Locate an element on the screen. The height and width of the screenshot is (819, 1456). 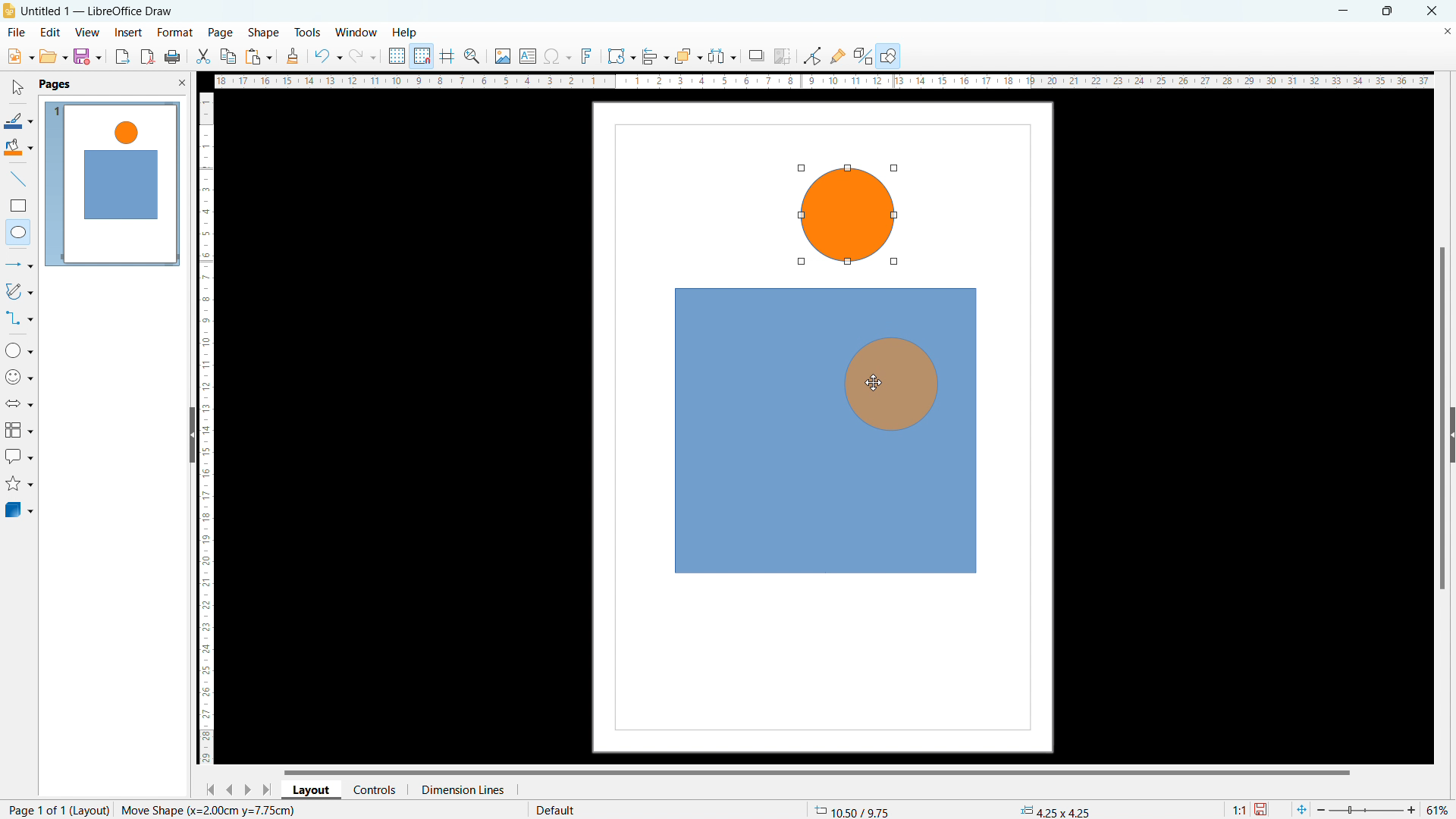
vertical scrollbar is located at coordinates (1443, 420).